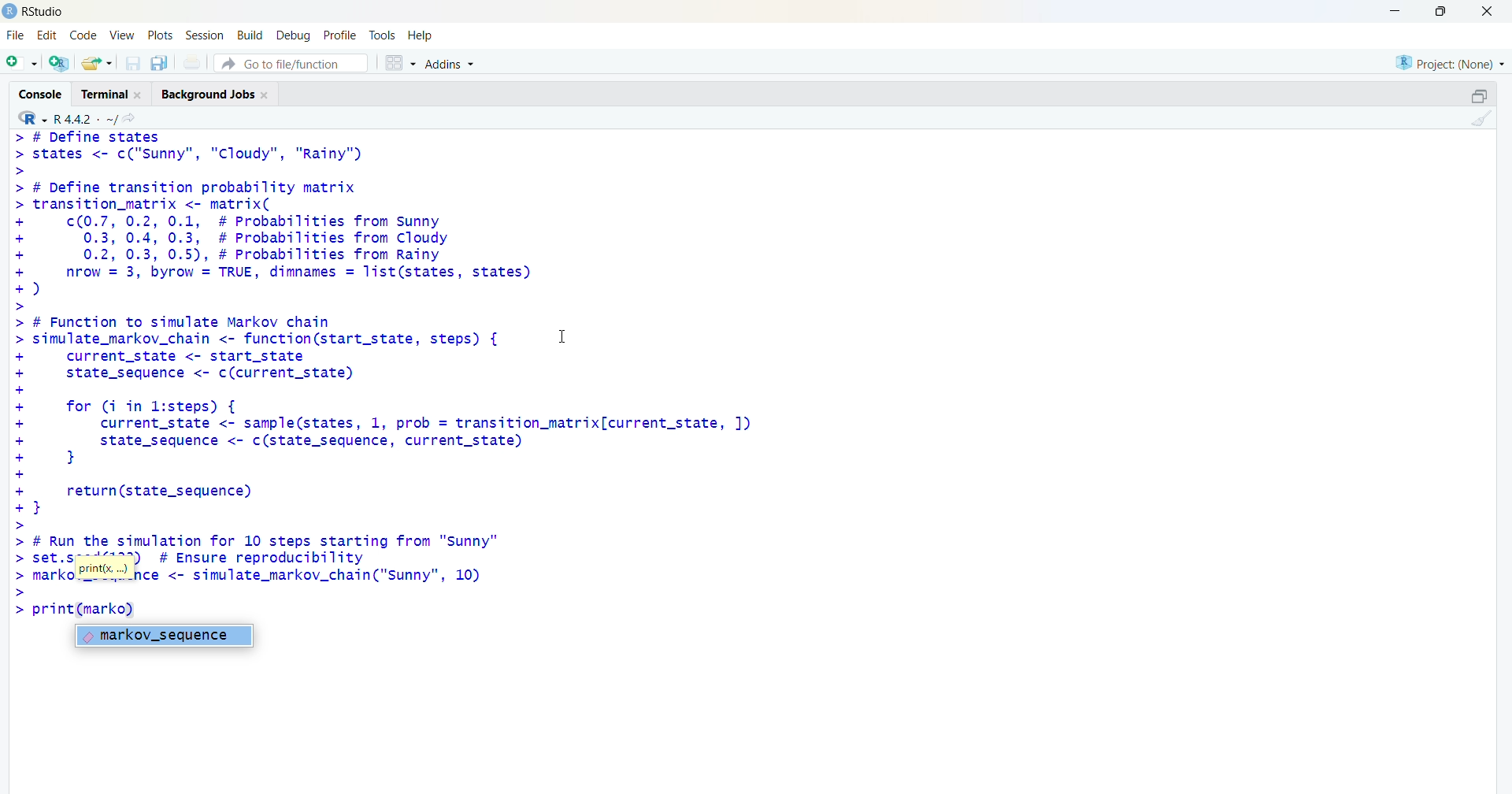 This screenshot has width=1512, height=794. Describe the element at coordinates (1438, 11) in the screenshot. I see `maximize` at that location.